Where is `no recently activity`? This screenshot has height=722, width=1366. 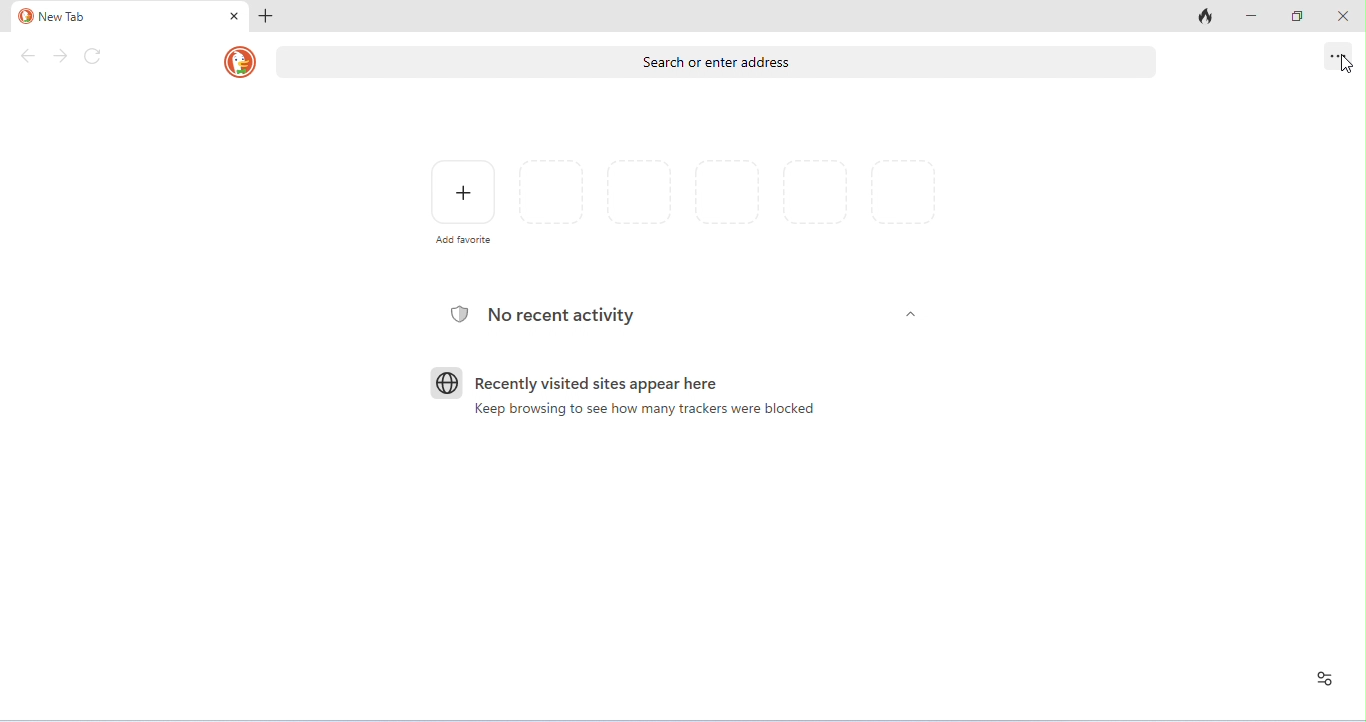
no recently activity is located at coordinates (545, 317).